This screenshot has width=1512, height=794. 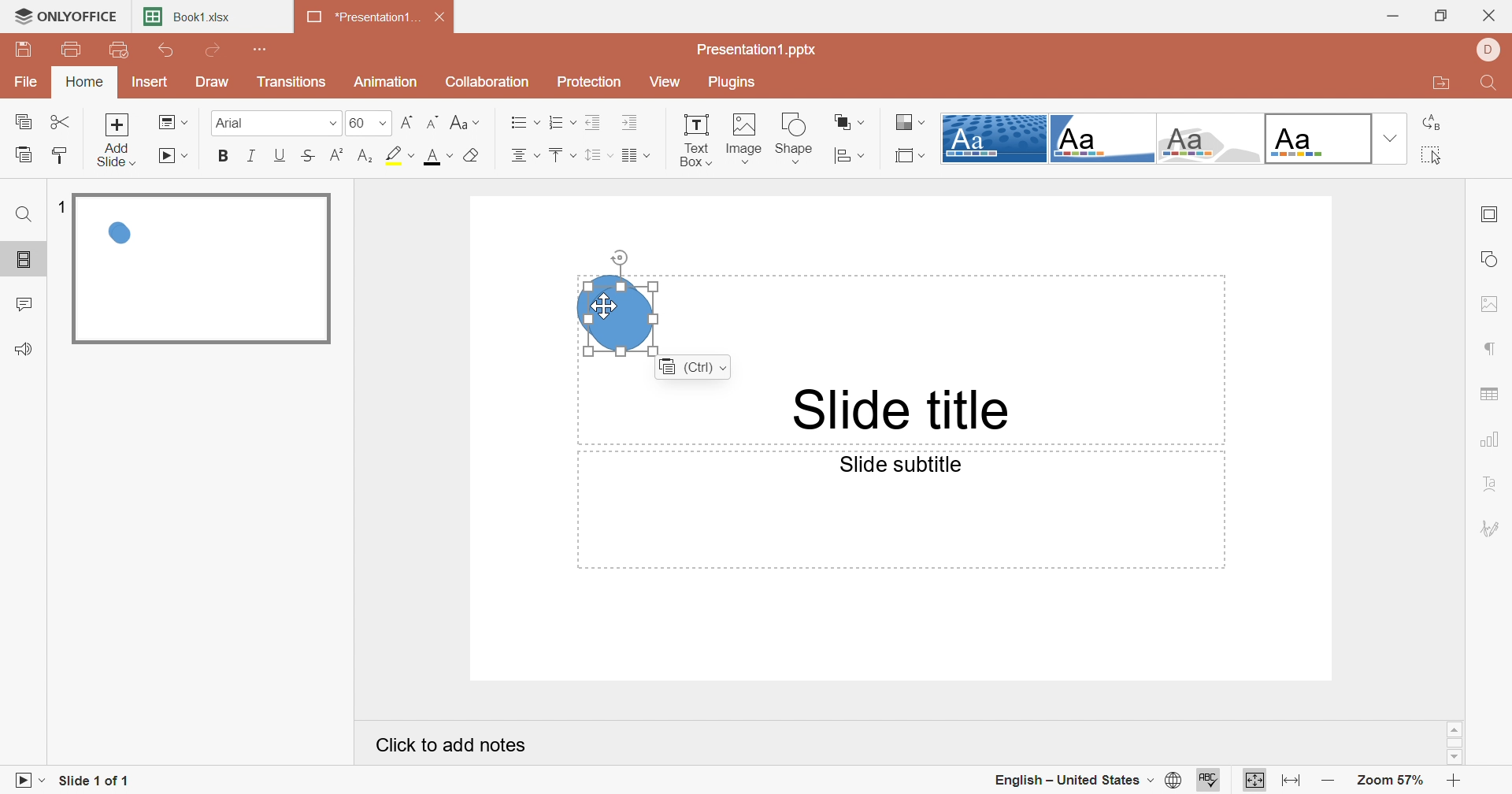 I want to click on Zoom out, so click(x=1330, y=784).